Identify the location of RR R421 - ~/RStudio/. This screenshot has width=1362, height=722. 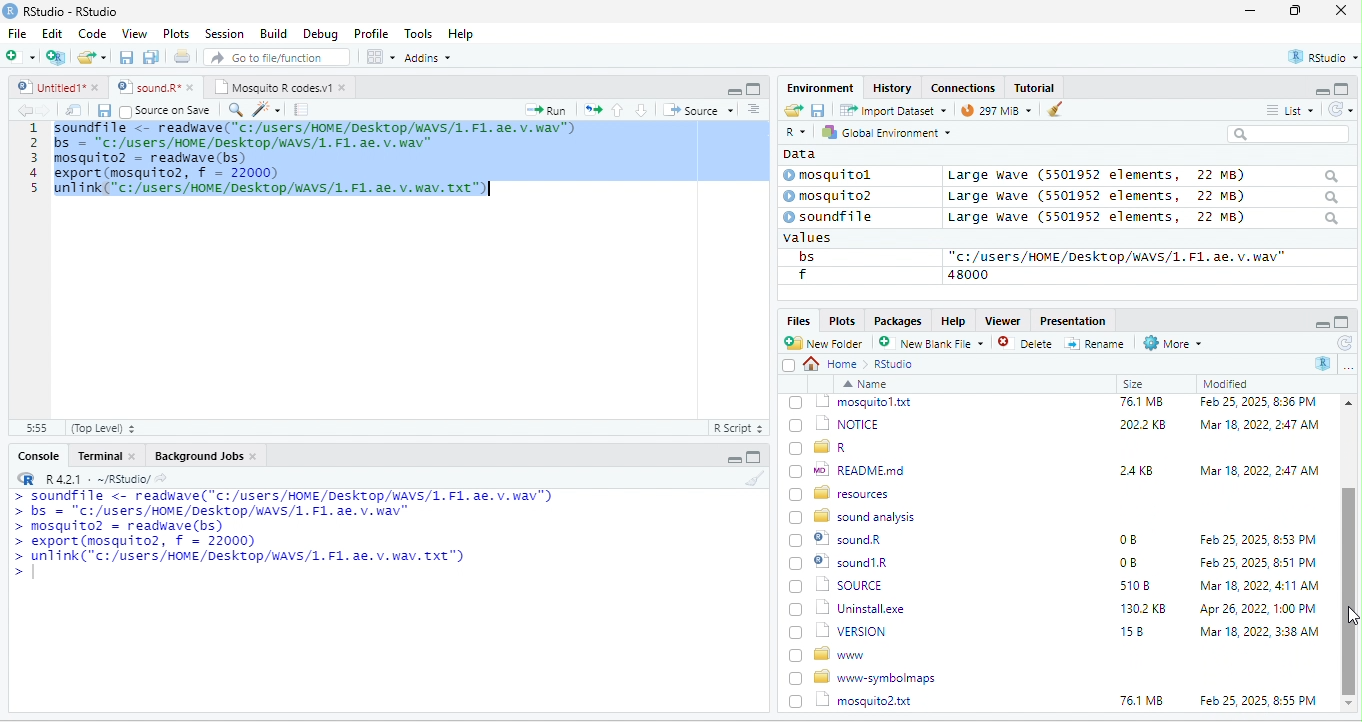
(87, 480).